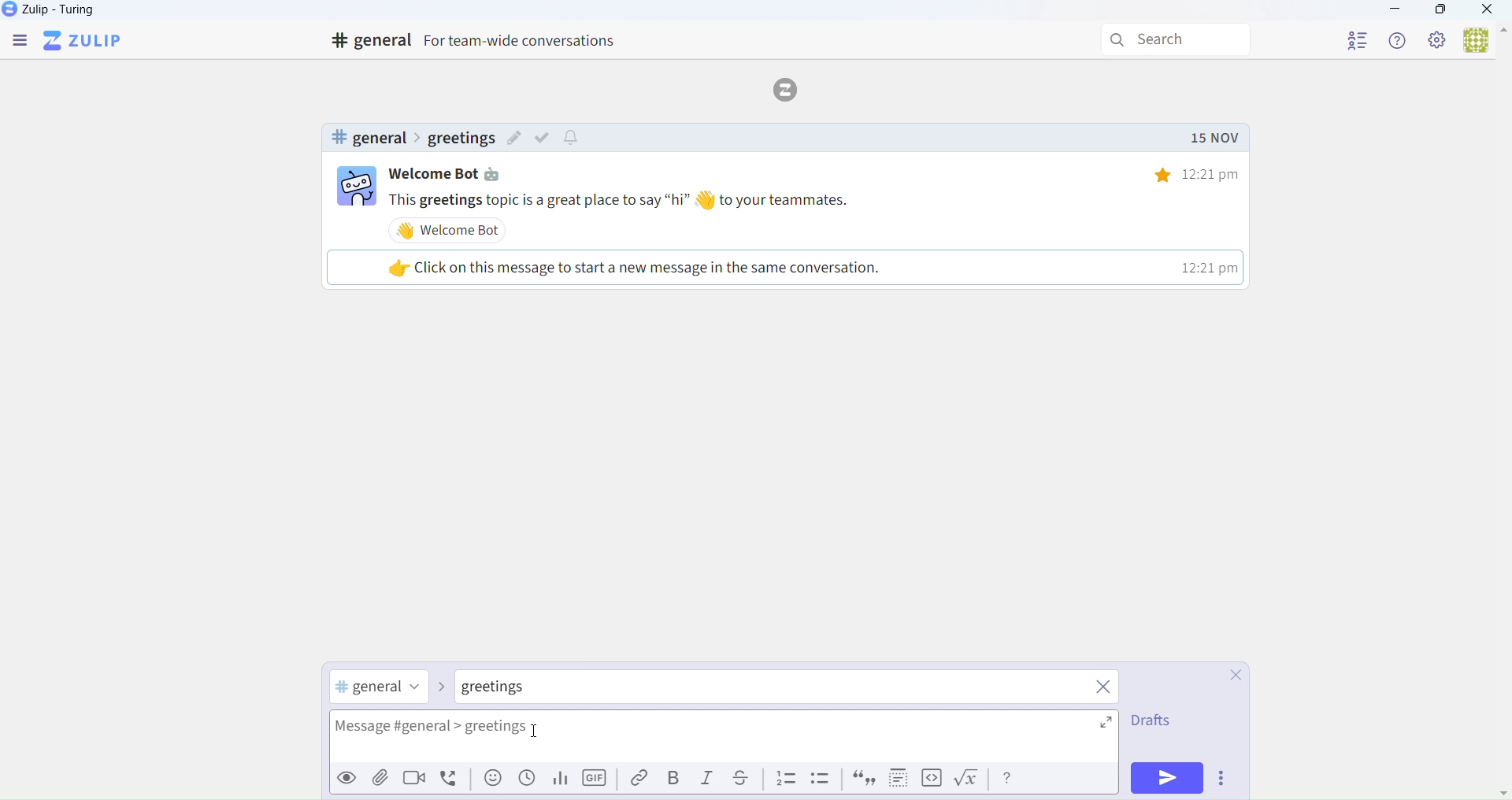 This screenshot has height=800, width=1512. Describe the element at coordinates (491, 782) in the screenshot. I see `Emoji` at that location.